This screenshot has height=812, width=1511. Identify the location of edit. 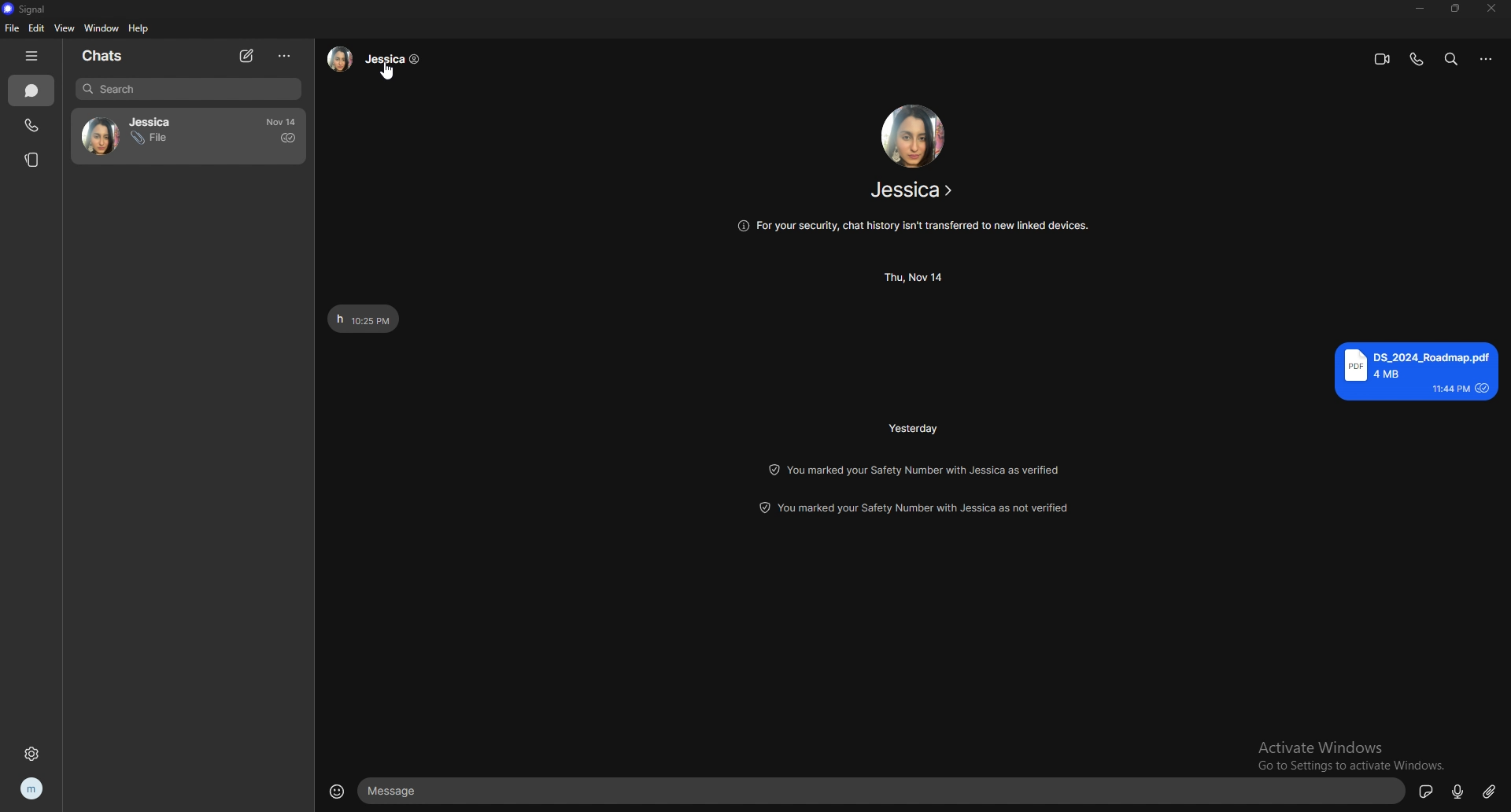
(36, 28).